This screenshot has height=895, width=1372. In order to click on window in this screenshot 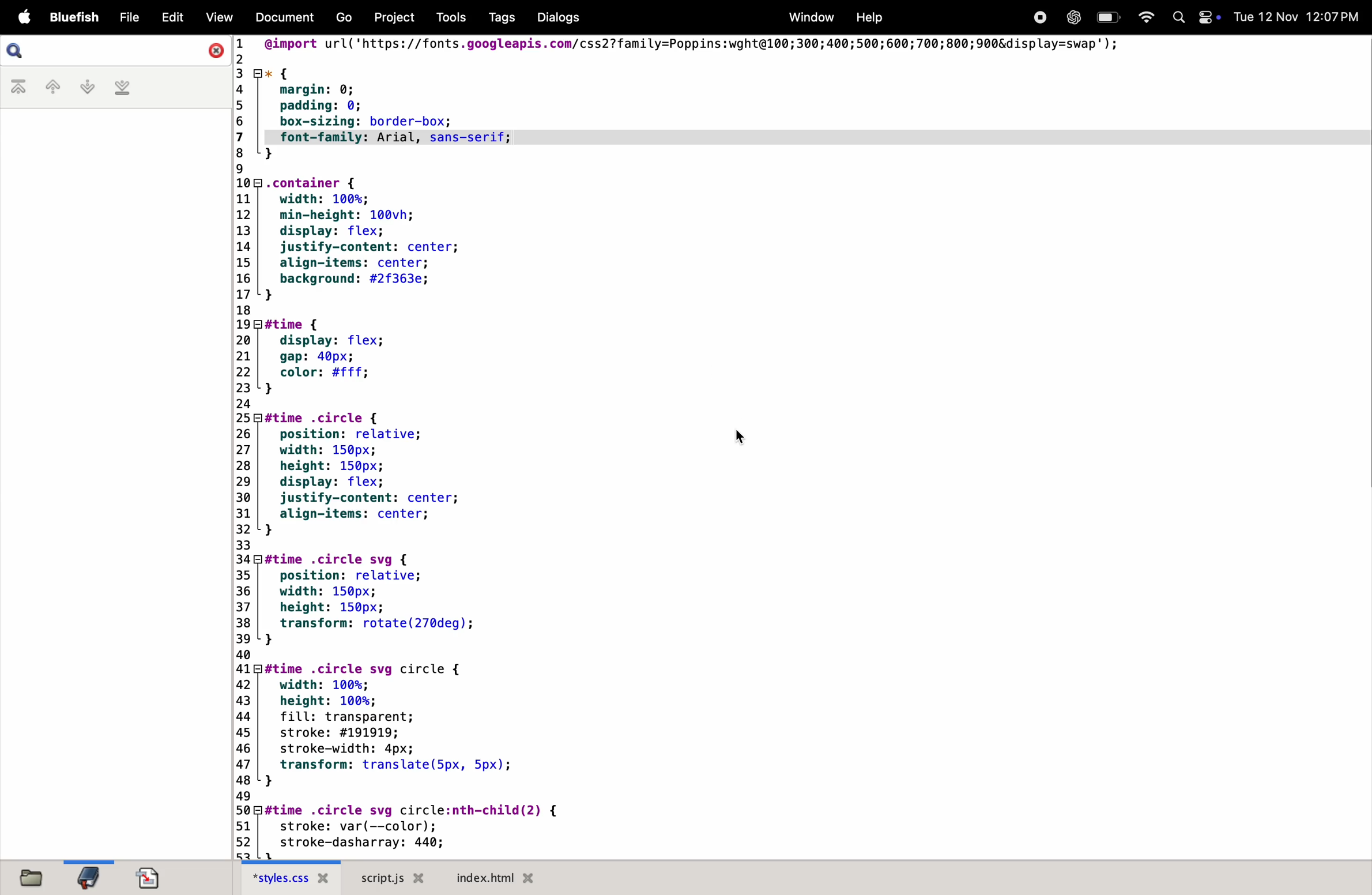, I will do `click(809, 17)`.